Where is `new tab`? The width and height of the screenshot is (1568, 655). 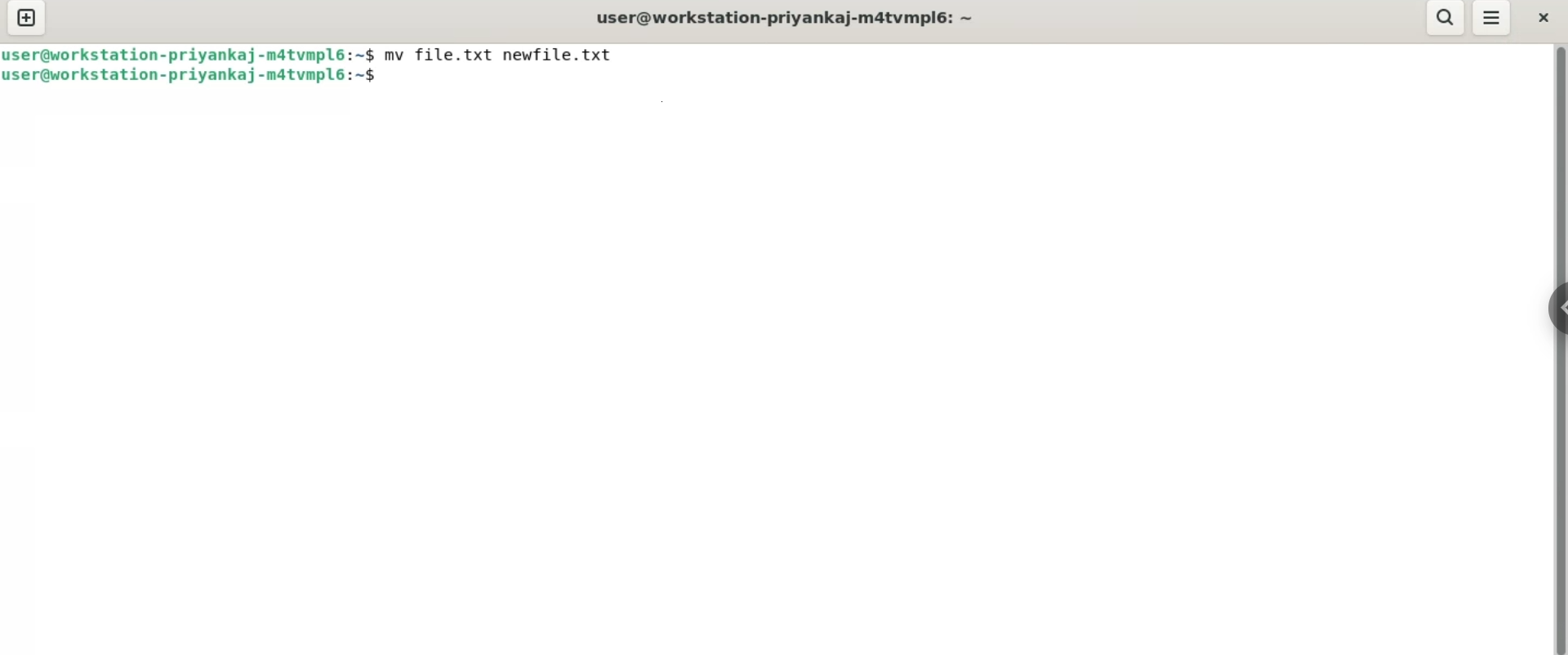 new tab is located at coordinates (25, 20).